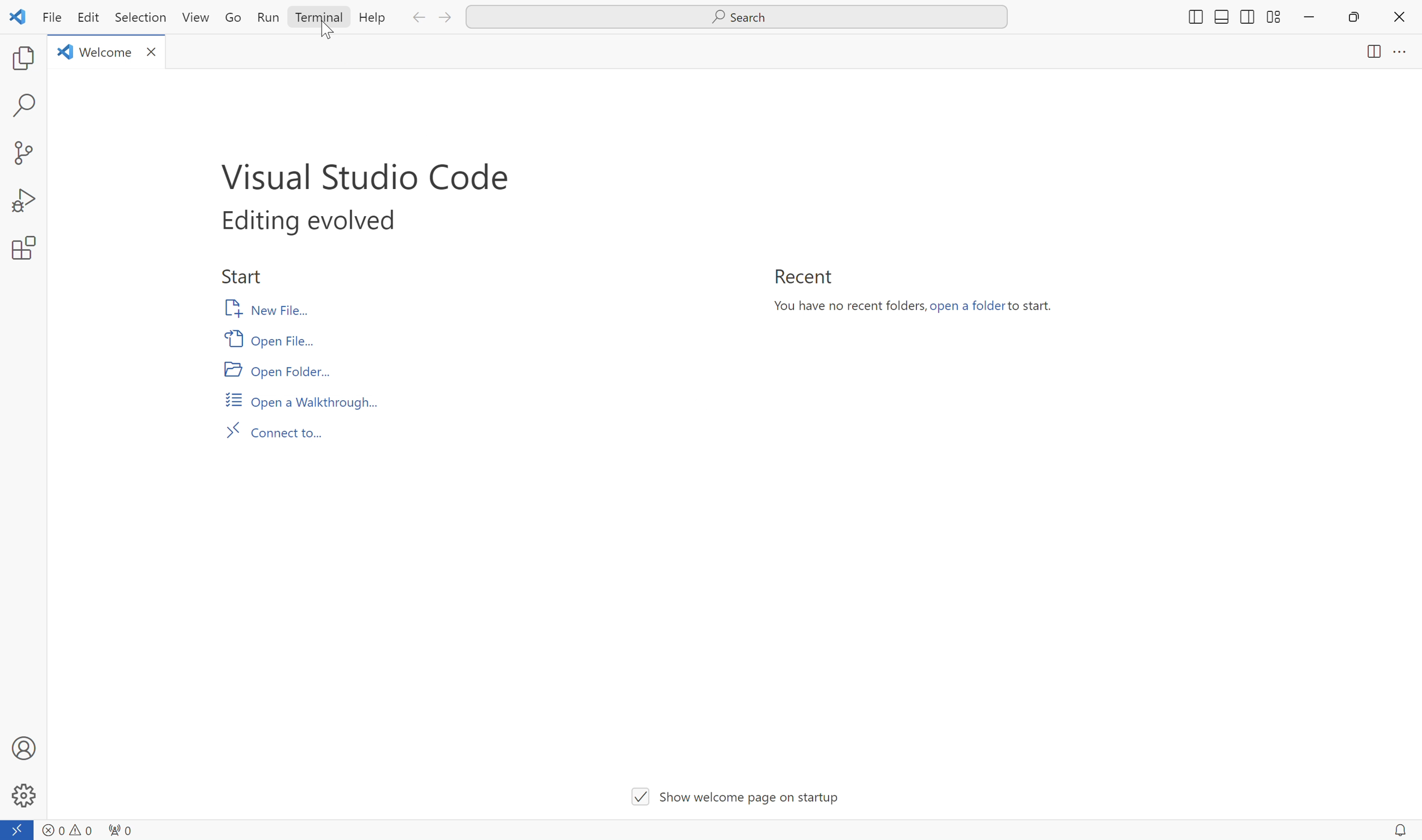  What do you see at coordinates (1309, 18) in the screenshot?
I see `minimize` at bounding box center [1309, 18].